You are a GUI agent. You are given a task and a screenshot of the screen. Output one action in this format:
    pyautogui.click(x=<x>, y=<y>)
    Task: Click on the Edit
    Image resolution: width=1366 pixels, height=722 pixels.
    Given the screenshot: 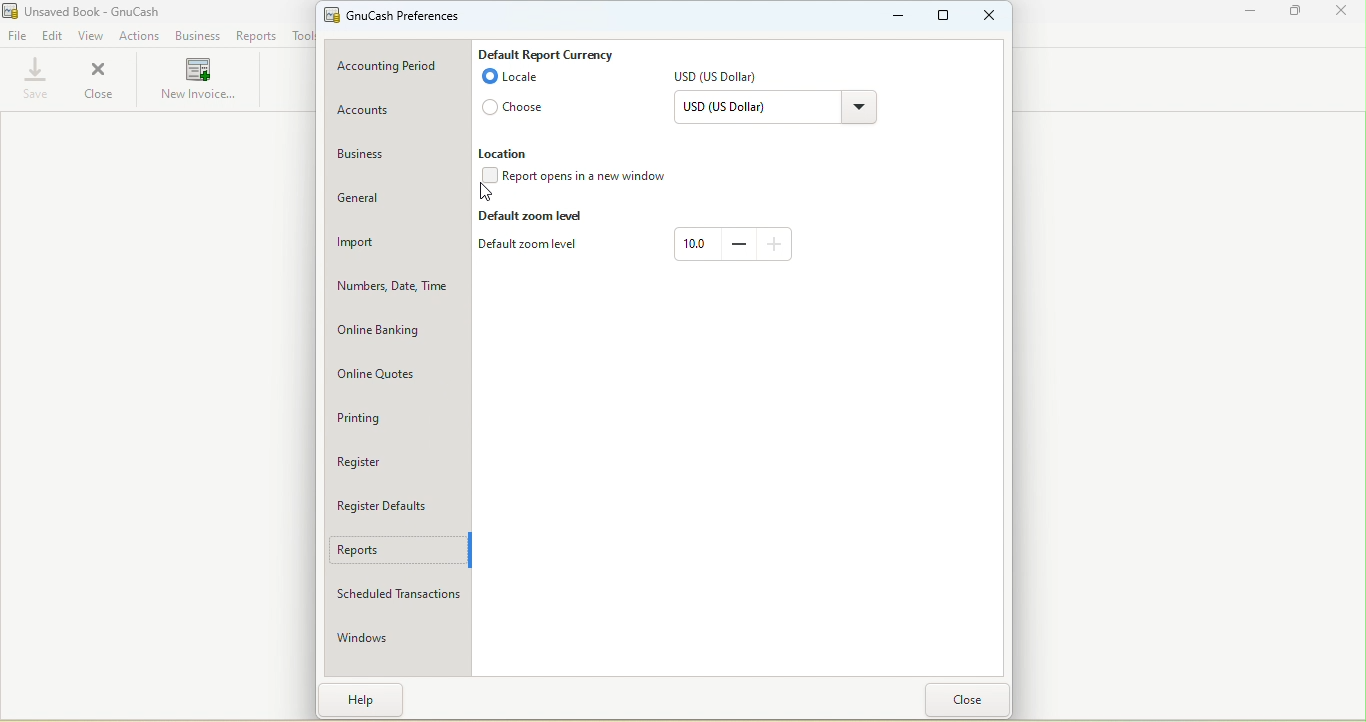 What is the action you would take?
    pyautogui.click(x=53, y=37)
    